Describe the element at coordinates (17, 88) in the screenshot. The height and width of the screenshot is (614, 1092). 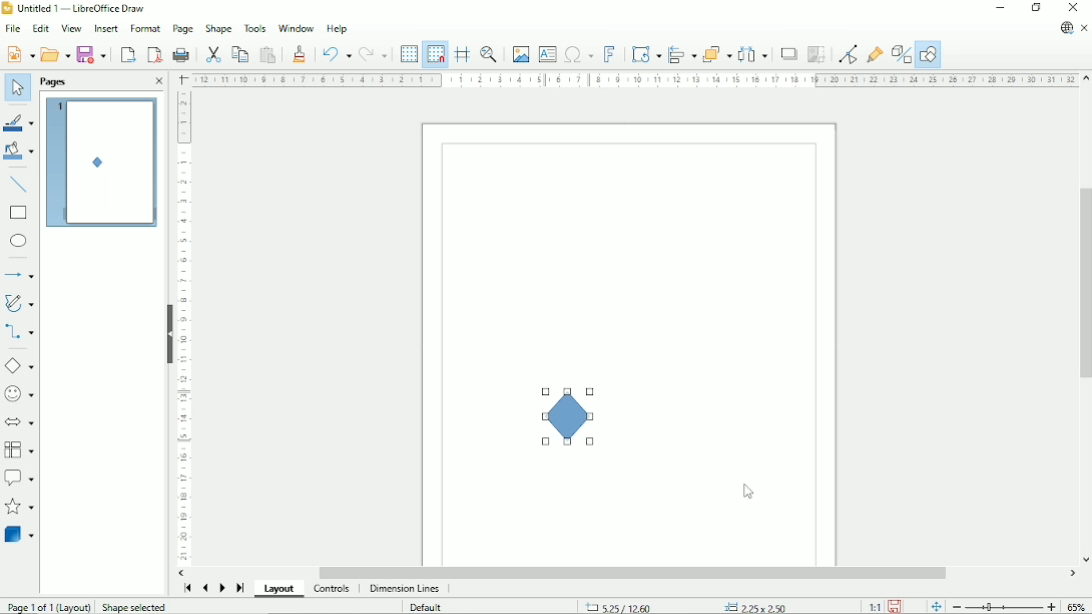
I see `Select` at that location.